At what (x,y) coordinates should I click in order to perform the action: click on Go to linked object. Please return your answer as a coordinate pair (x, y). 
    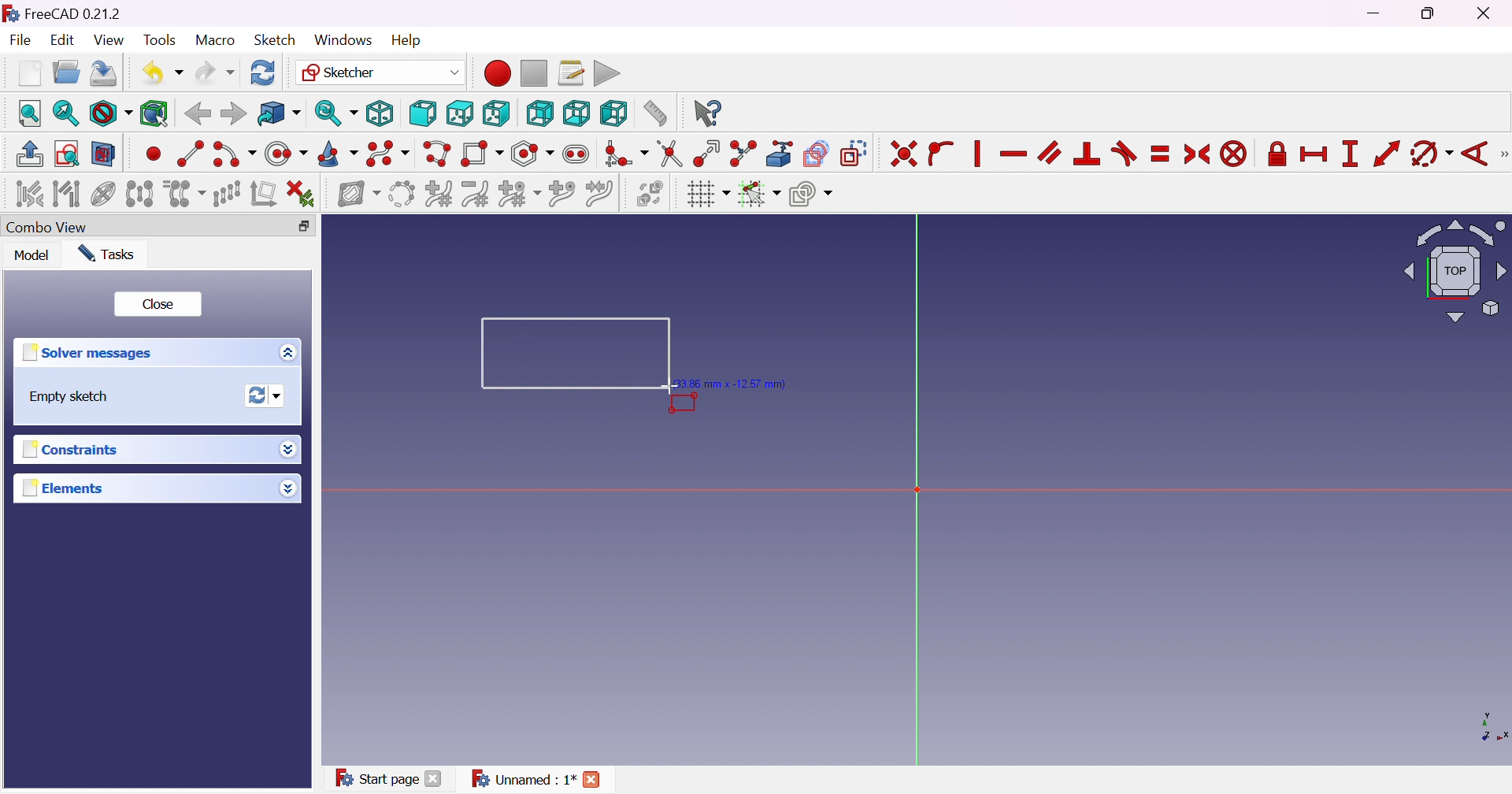
    Looking at the image, I should click on (278, 113).